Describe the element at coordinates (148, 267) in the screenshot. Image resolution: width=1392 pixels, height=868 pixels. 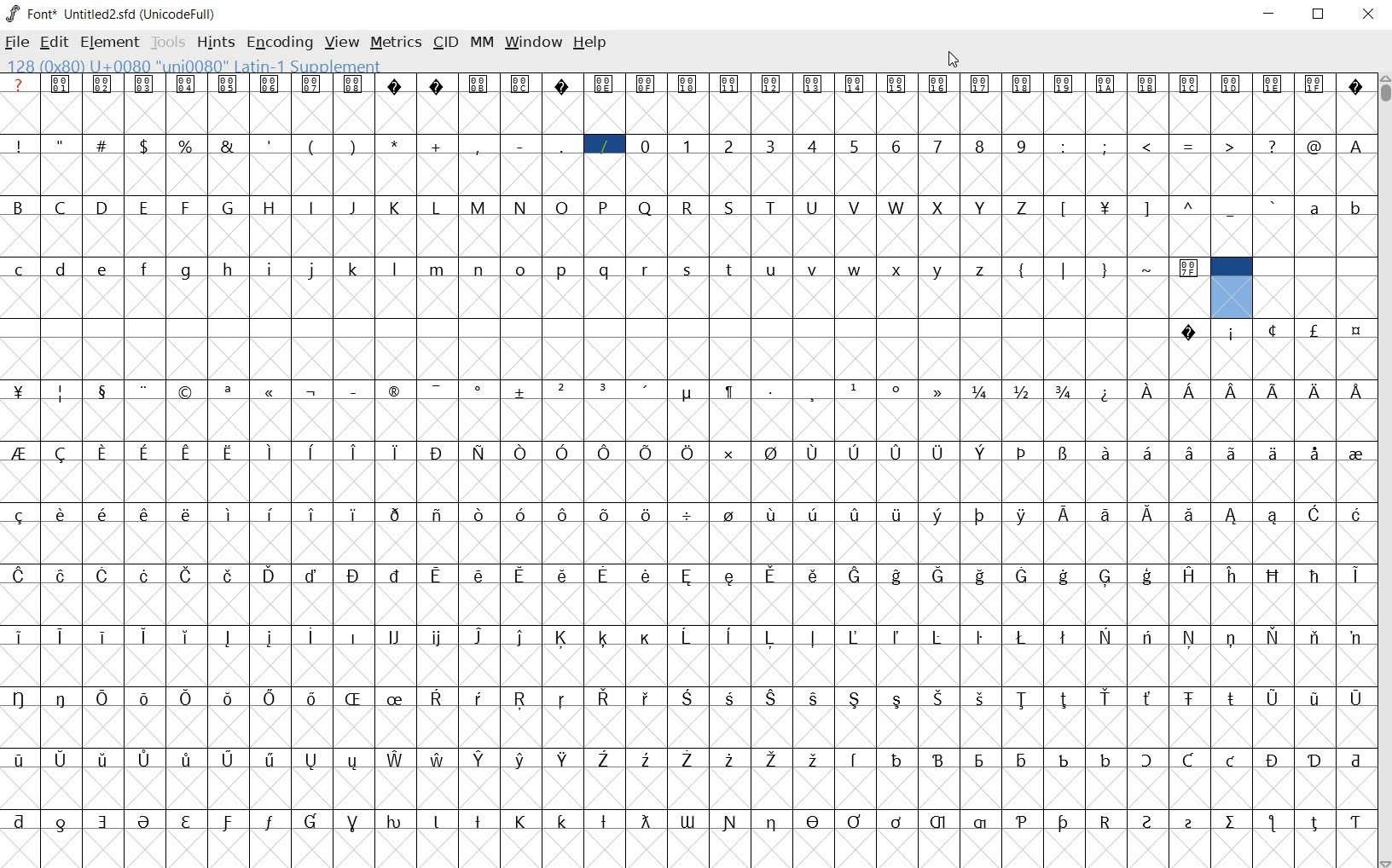
I see `f` at that location.